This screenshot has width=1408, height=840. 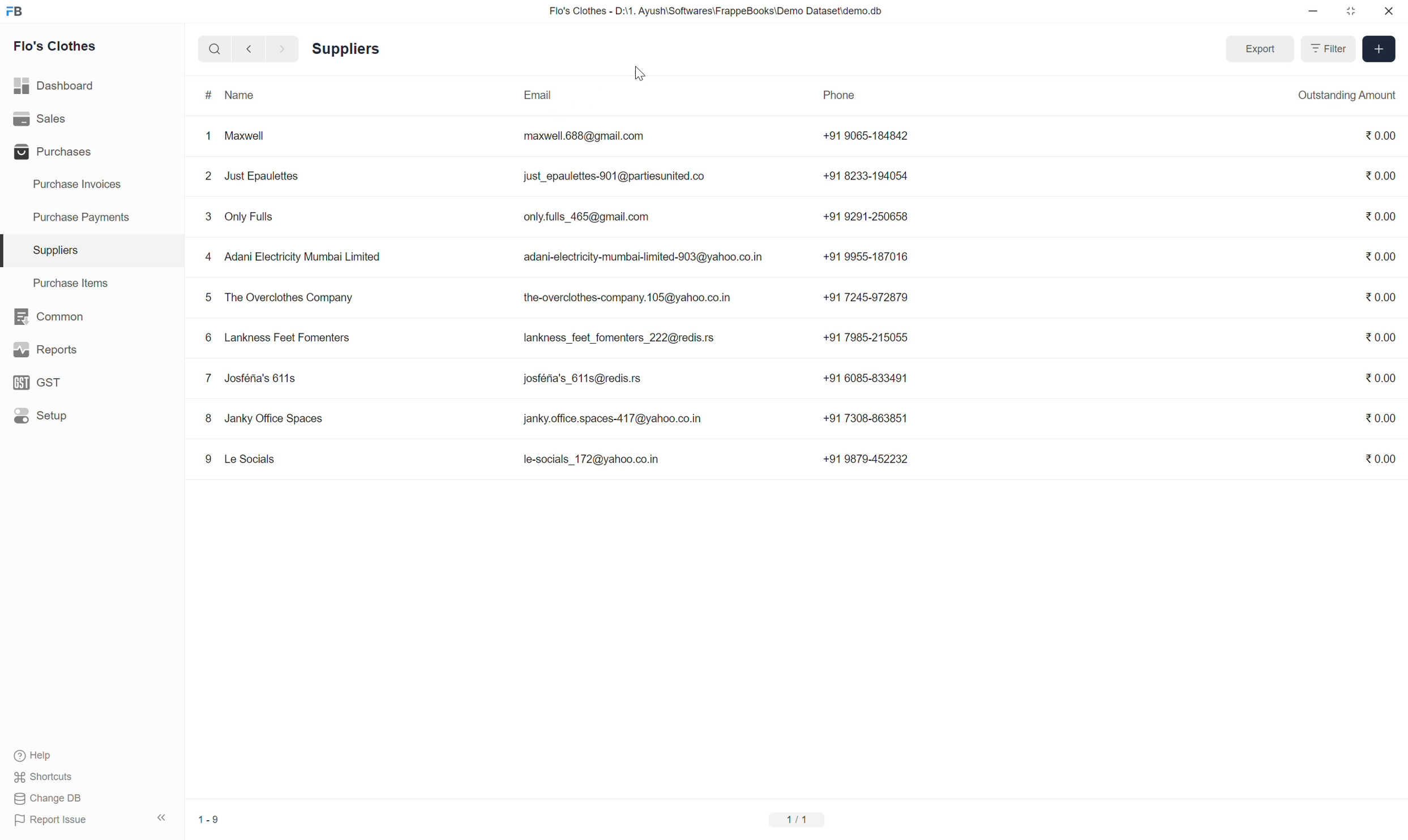 I want to click on only.fulls_465@gmail.com, so click(x=587, y=217).